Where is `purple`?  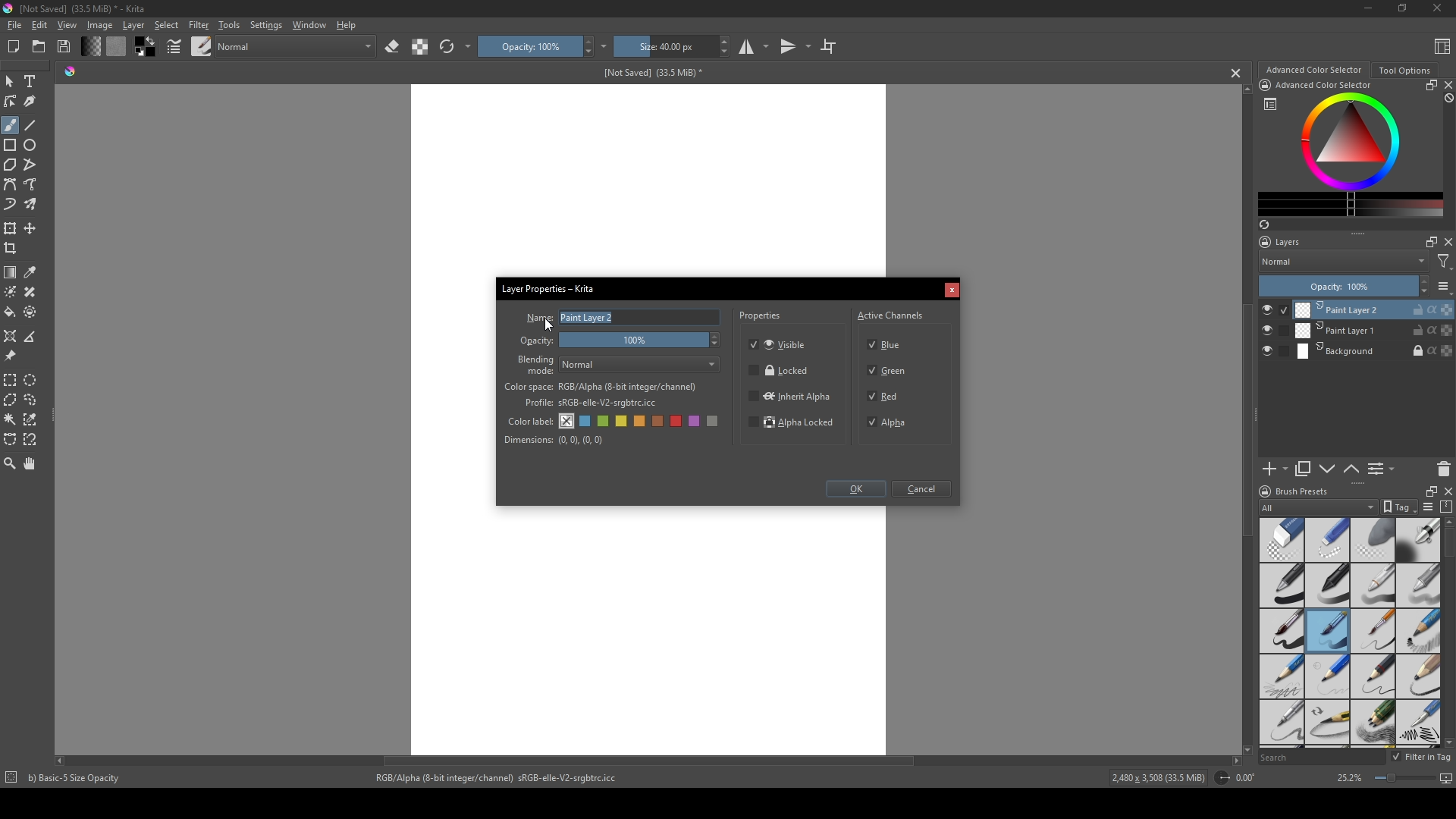
purple is located at coordinates (697, 422).